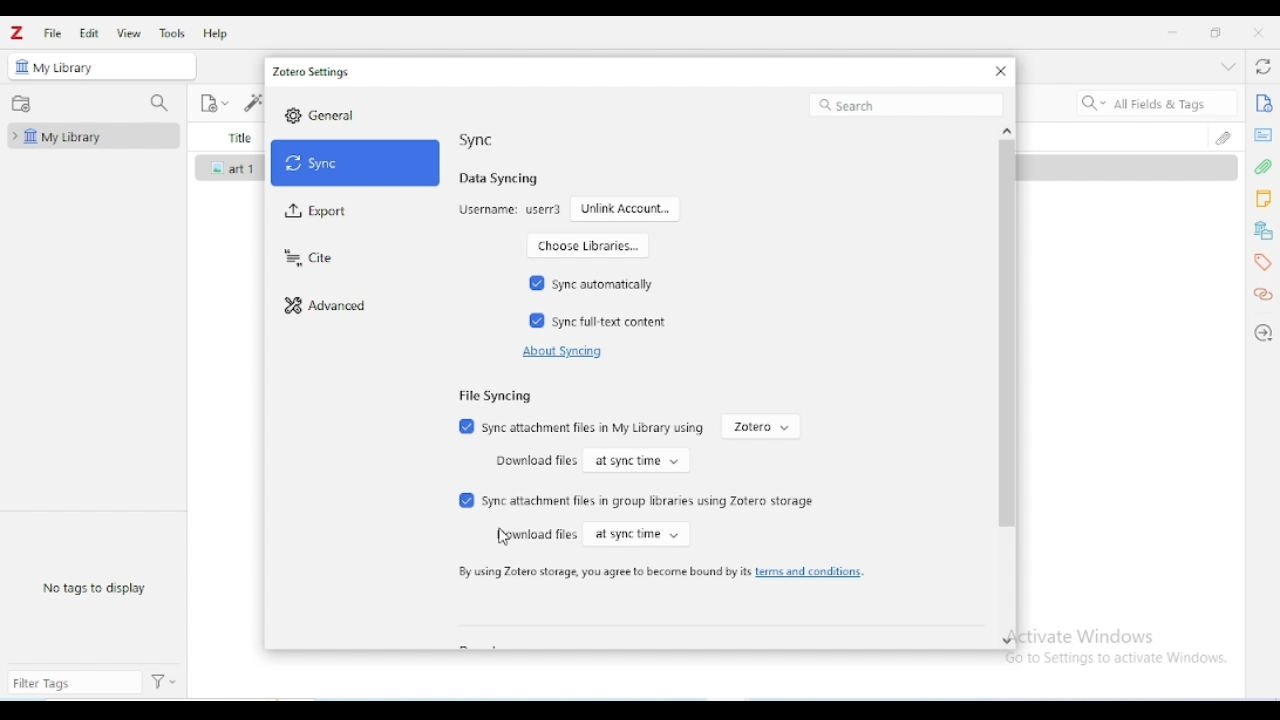 This screenshot has width=1280, height=720. Describe the element at coordinates (635, 535) in the screenshot. I see `at sync time` at that location.